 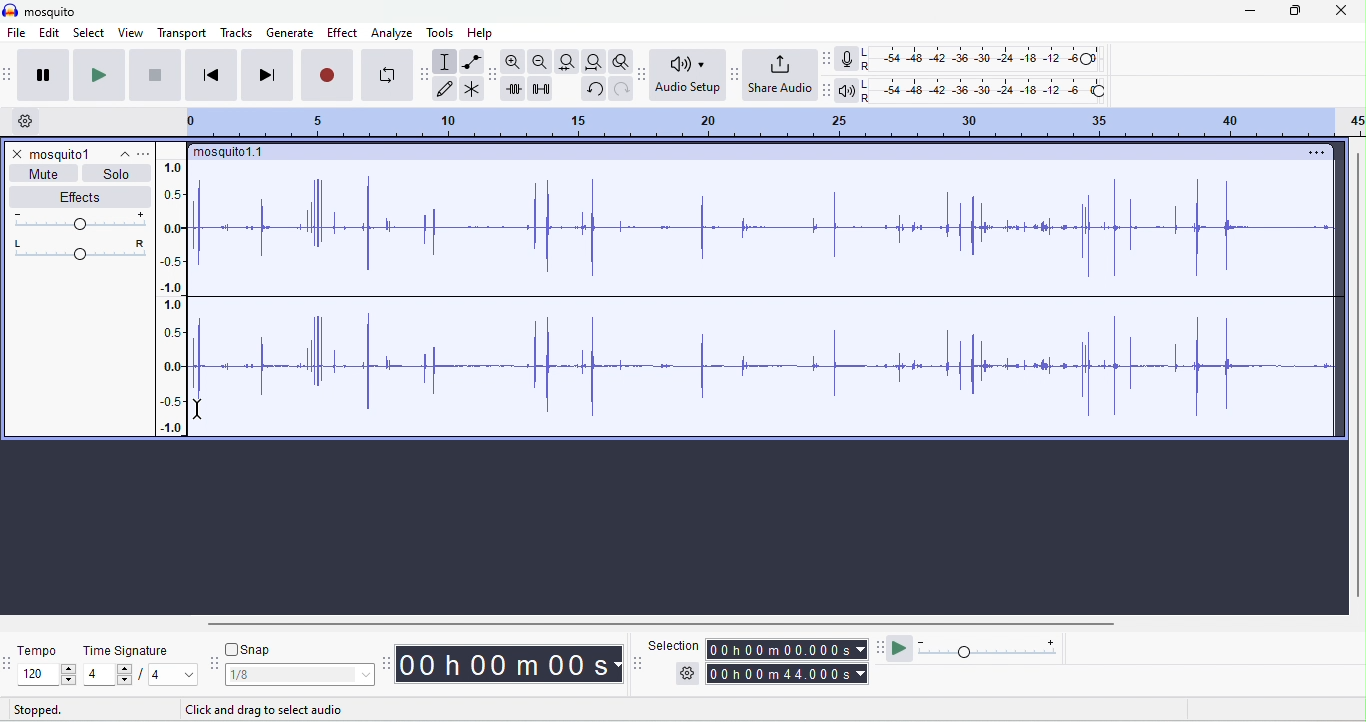 What do you see at coordinates (984, 89) in the screenshot?
I see `playback level` at bounding box center [984, 89].